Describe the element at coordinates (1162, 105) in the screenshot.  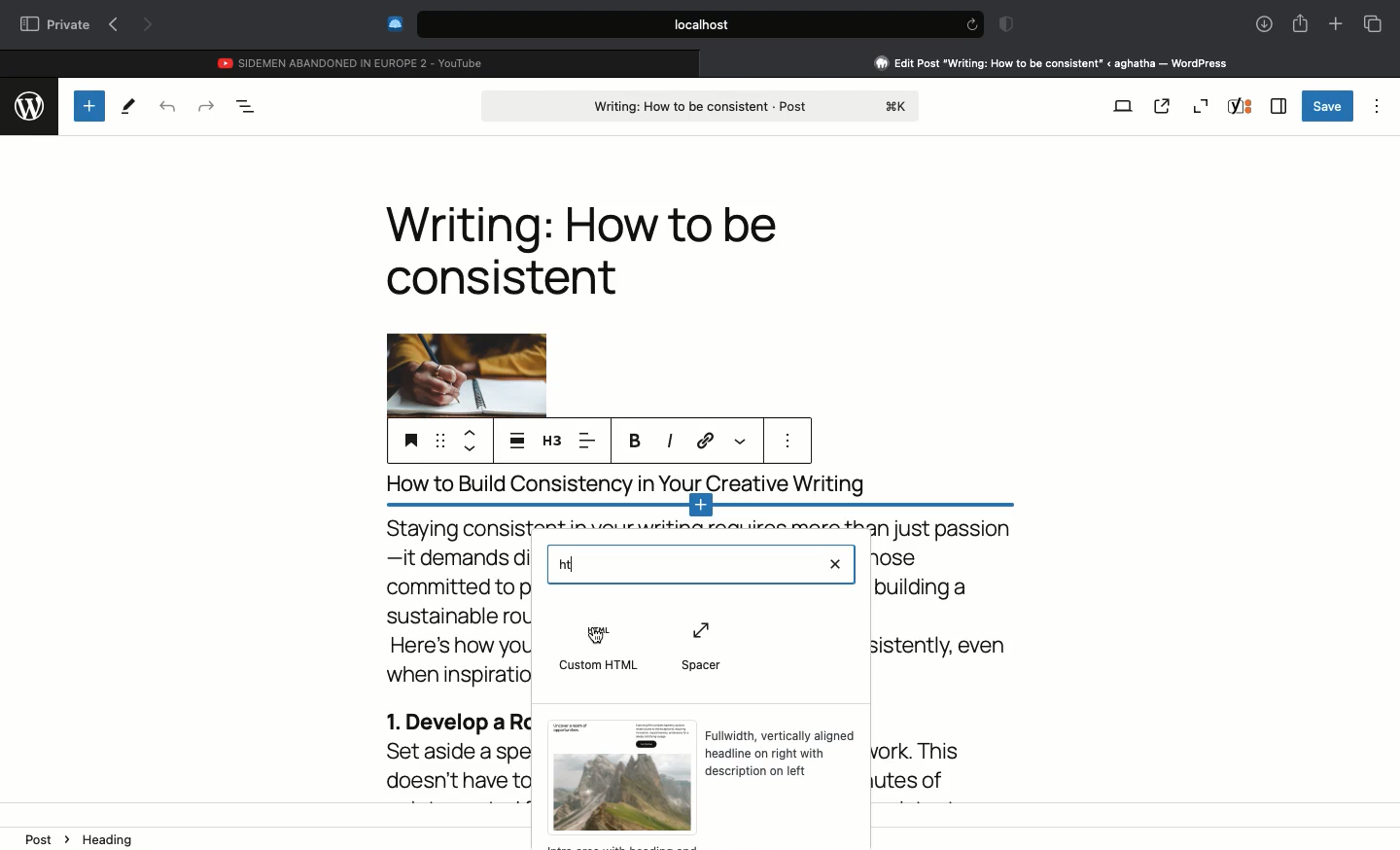
I see `View post` at that location.